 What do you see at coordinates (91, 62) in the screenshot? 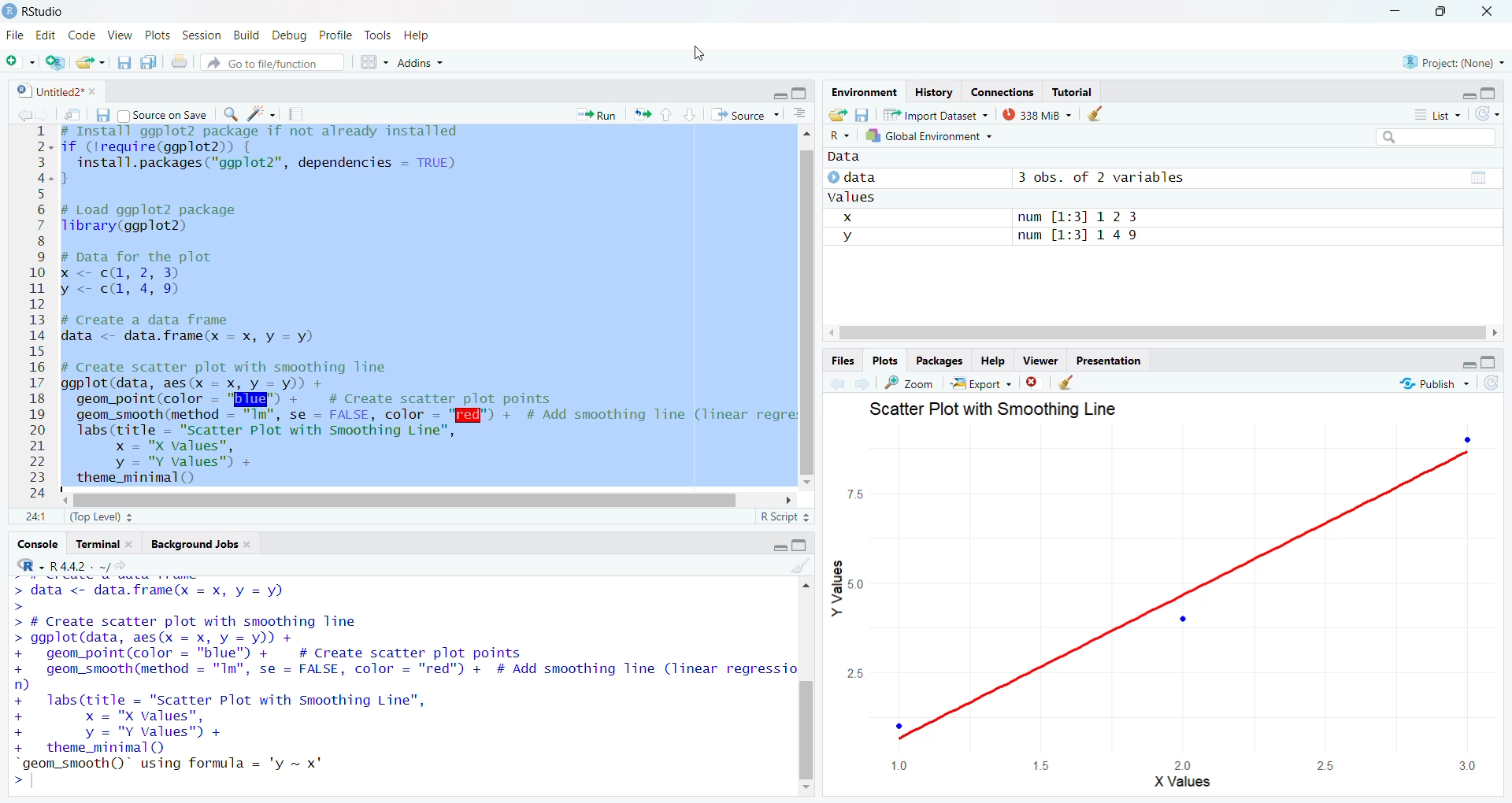
I see `open an existing file` at bounding box center [91, 62].